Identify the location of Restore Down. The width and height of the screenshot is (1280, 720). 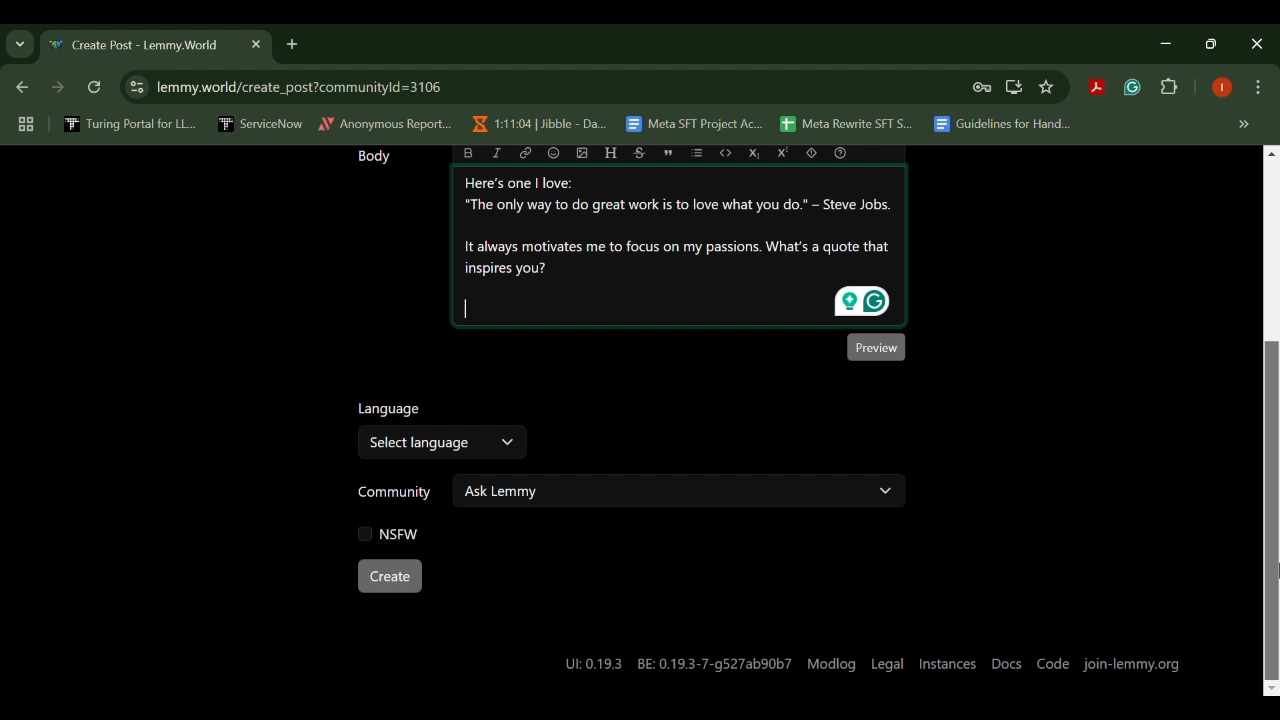
(1170, 43).